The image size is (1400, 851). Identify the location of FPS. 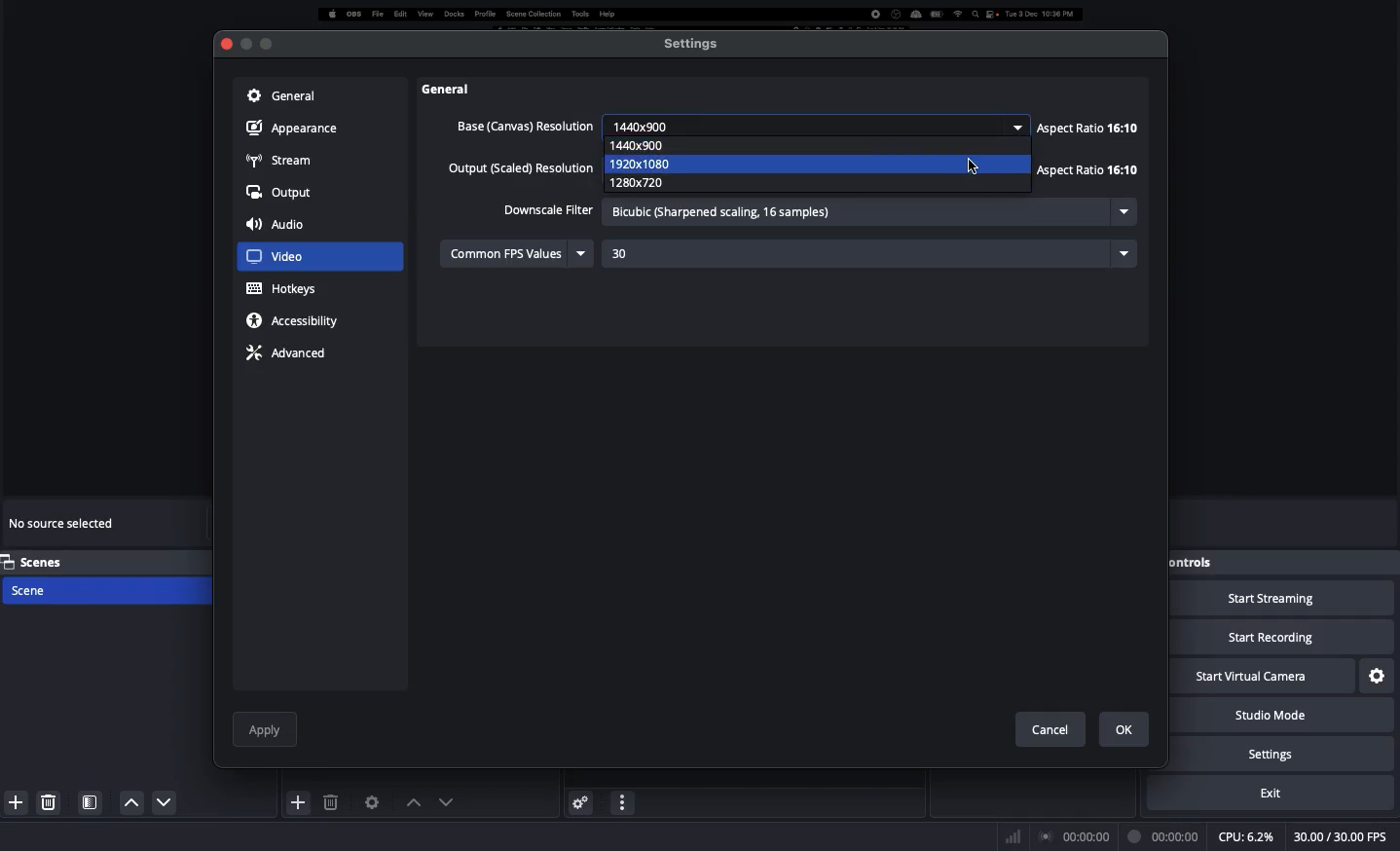
(1344, 837).